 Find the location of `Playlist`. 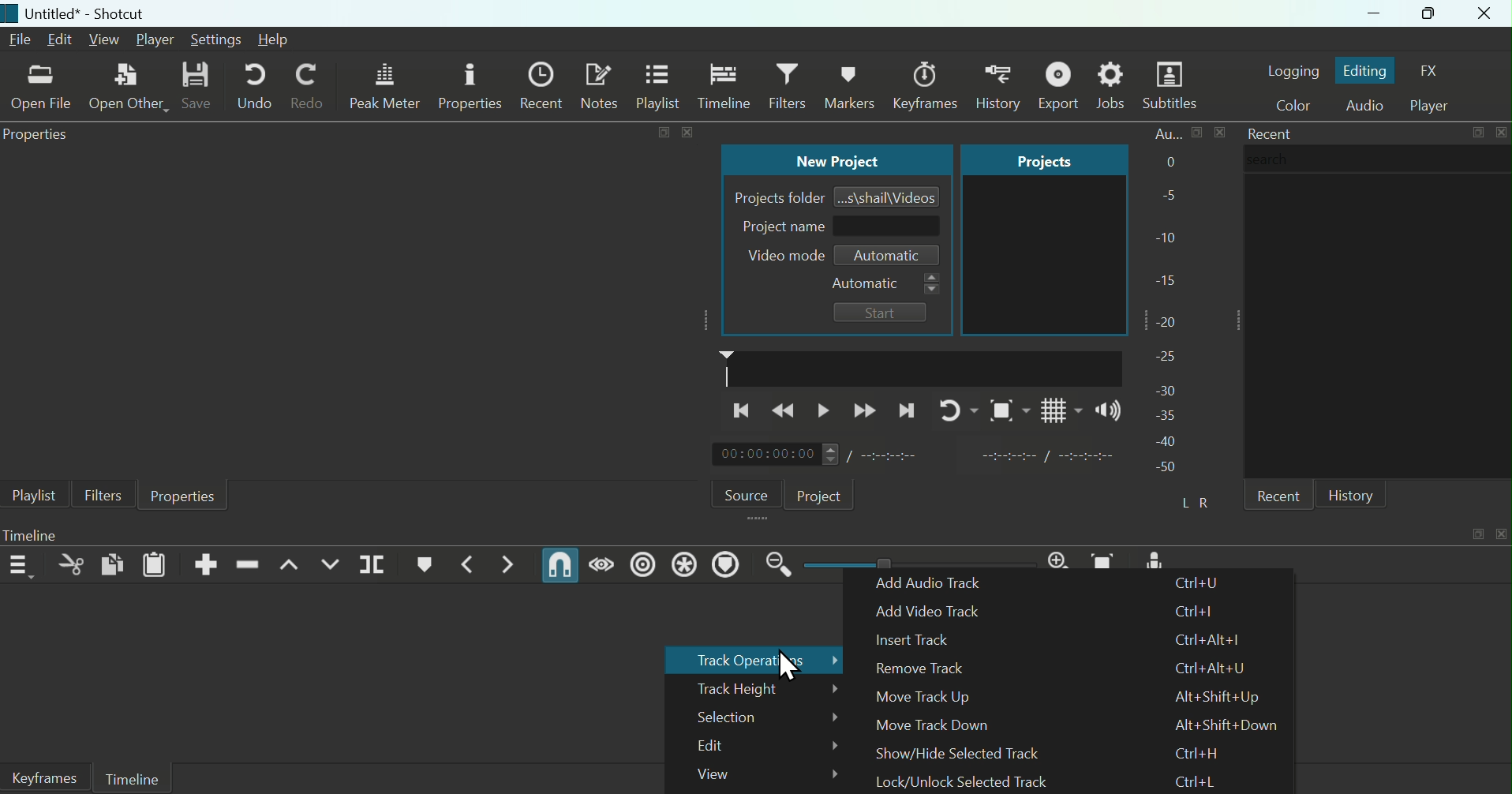

Playlist is located at coordinates (661, 87).